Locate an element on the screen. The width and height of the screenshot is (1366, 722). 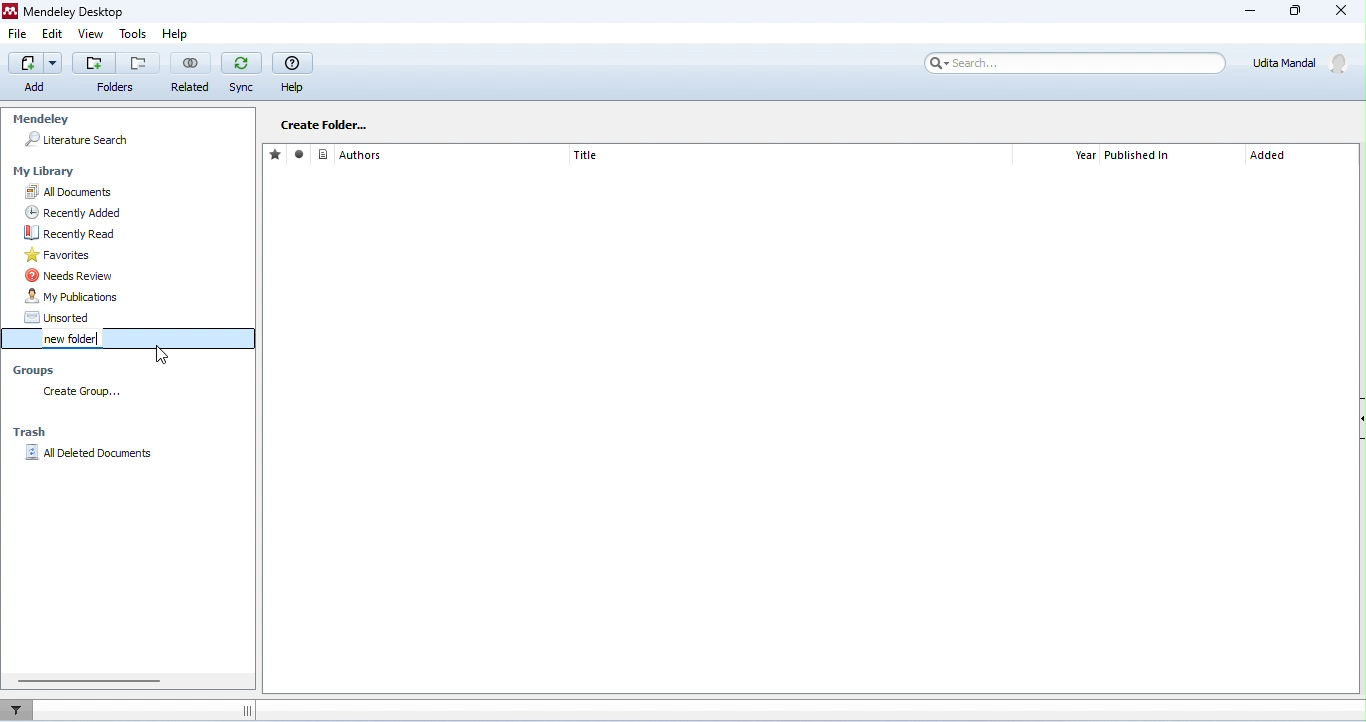
published in is located at coordinates (1140, 156).